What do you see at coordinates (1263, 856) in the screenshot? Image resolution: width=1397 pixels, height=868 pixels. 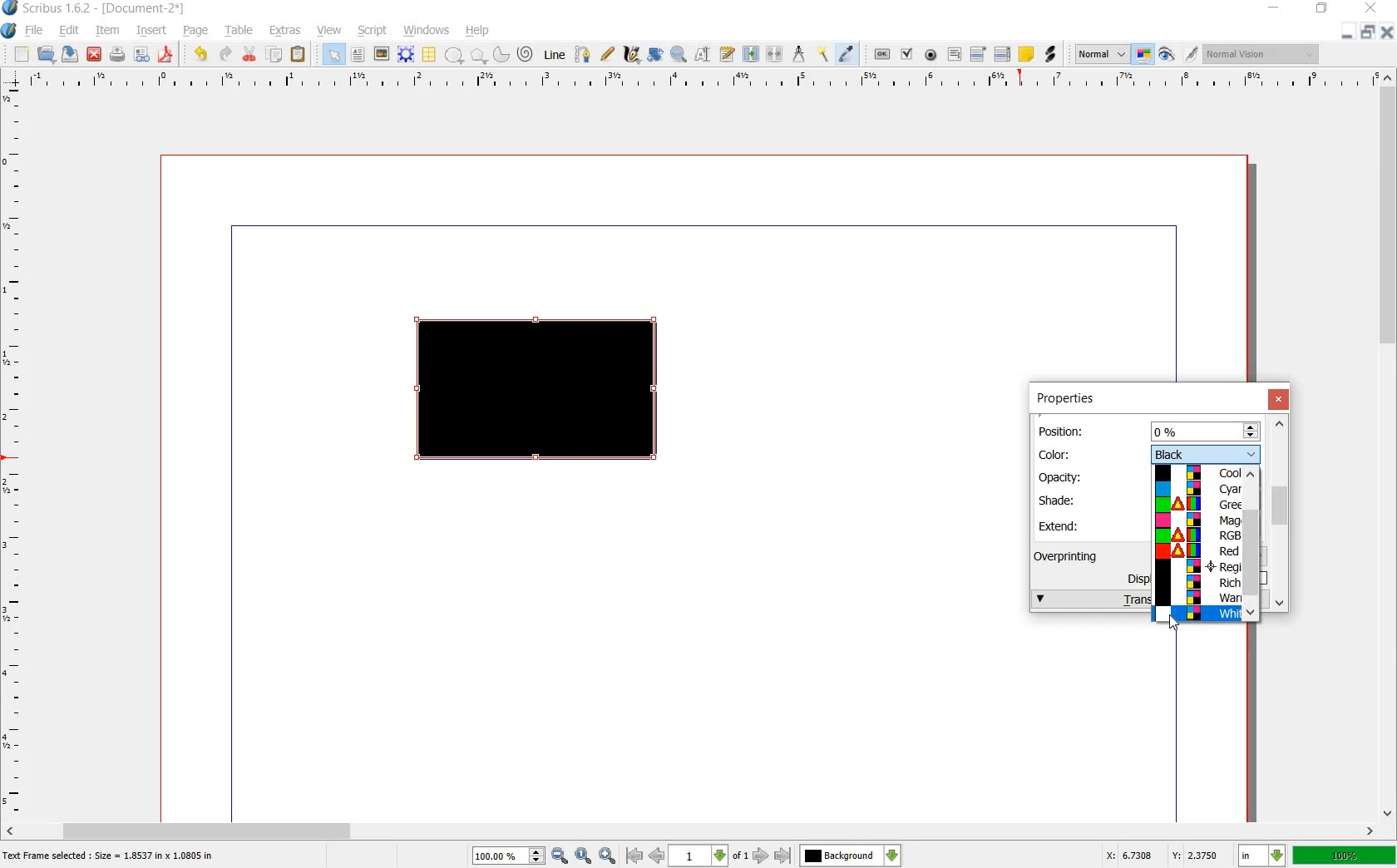 I see `in` at bounding box center [1263, 856].